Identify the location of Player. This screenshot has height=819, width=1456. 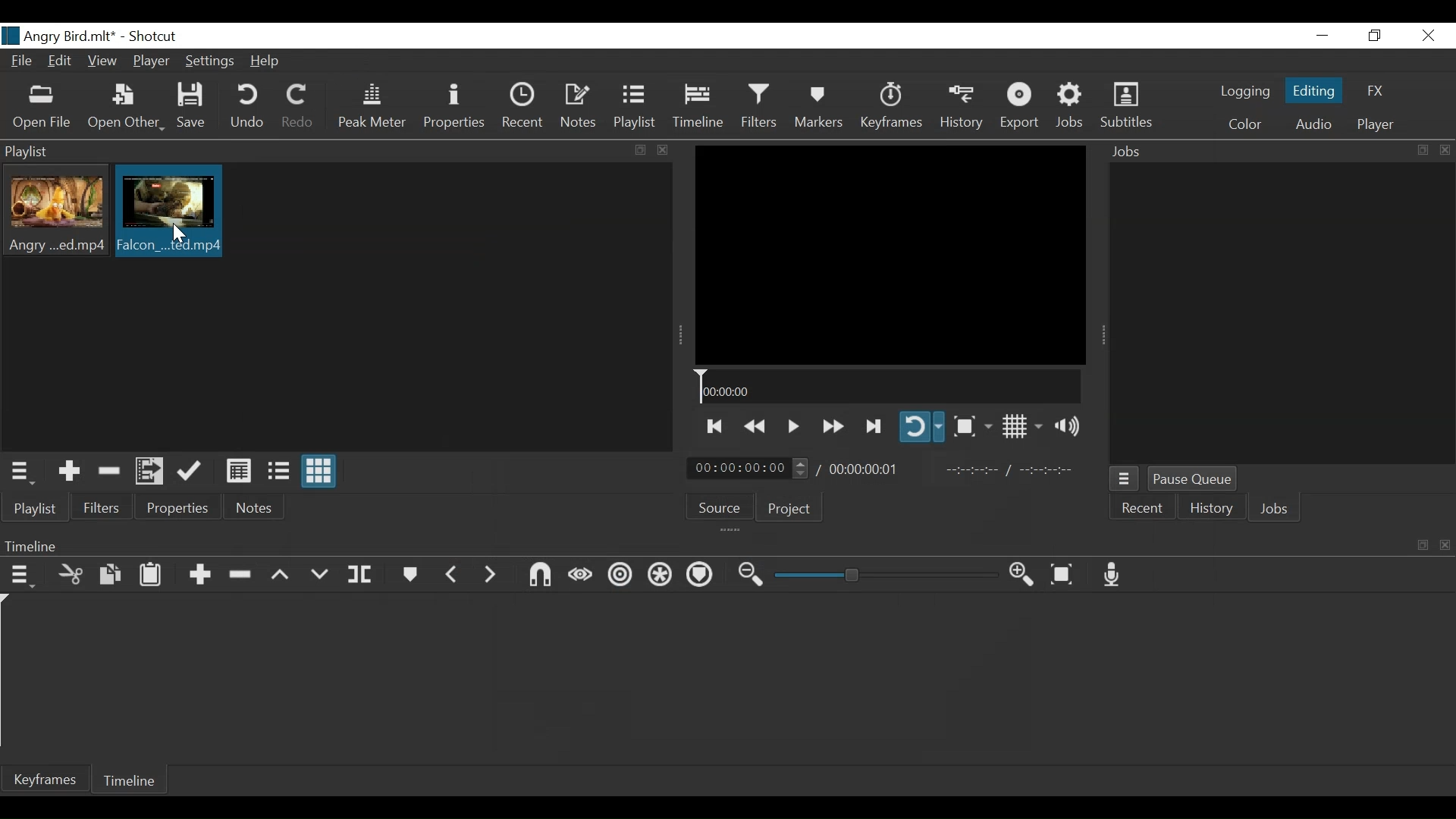
(1376, 125).